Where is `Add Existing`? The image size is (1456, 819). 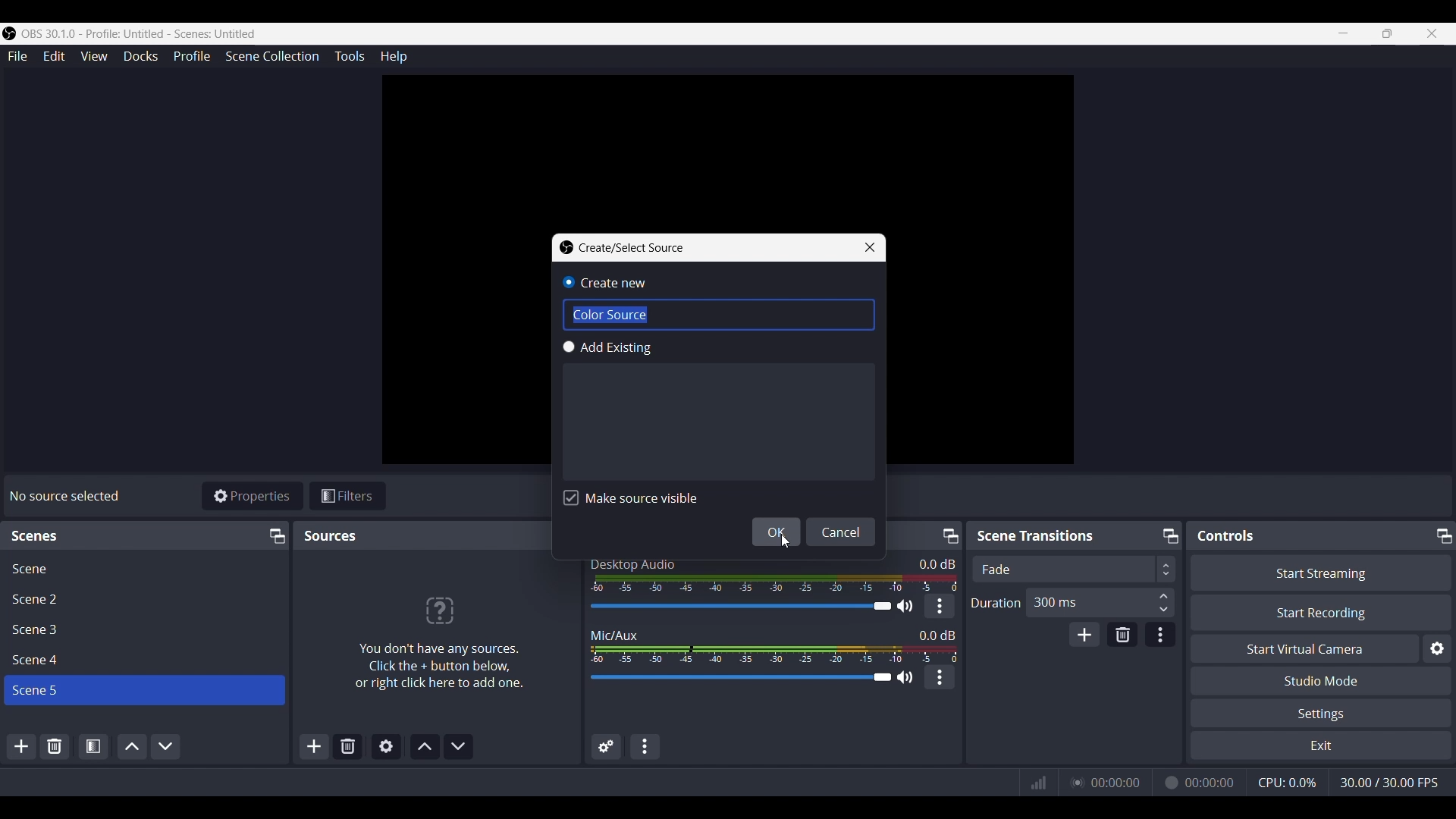 Add Existing is located at coordinates (717, 410).